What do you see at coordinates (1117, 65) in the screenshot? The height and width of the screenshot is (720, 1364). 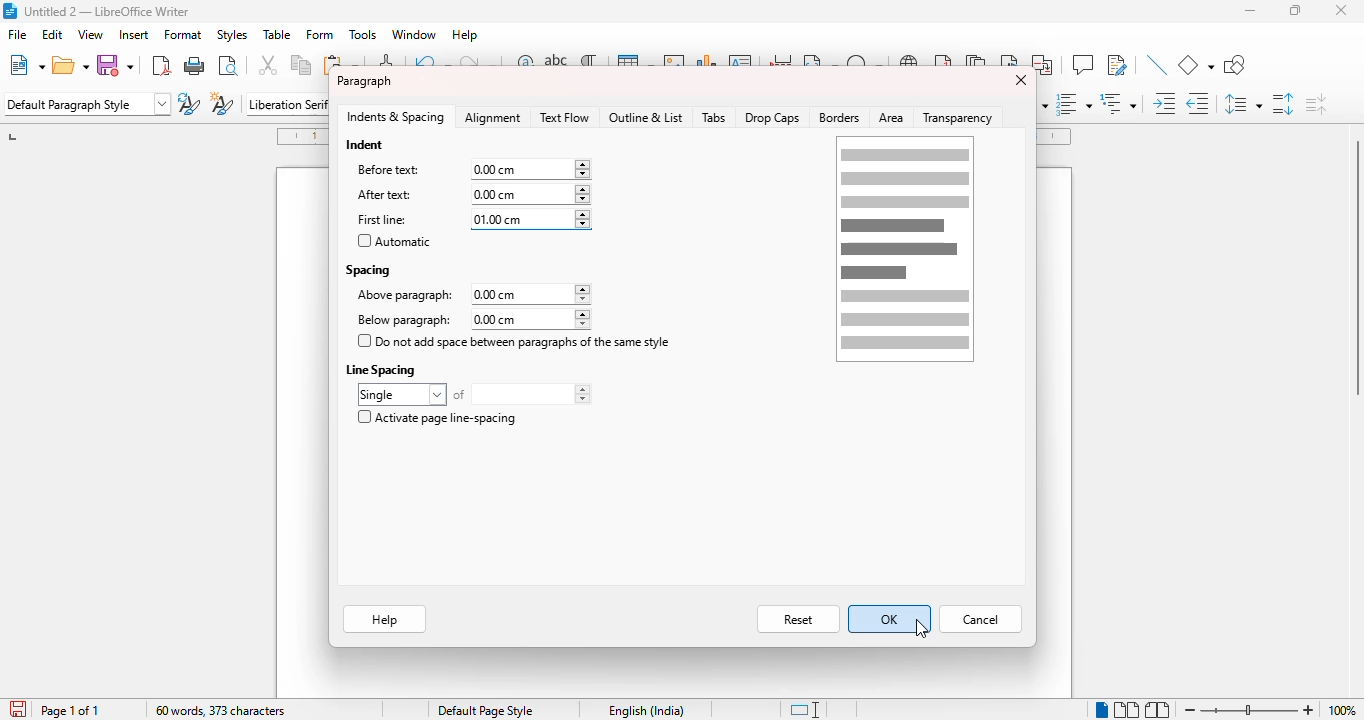 I see `show track changes functions` at bounding box center [1117, 65].